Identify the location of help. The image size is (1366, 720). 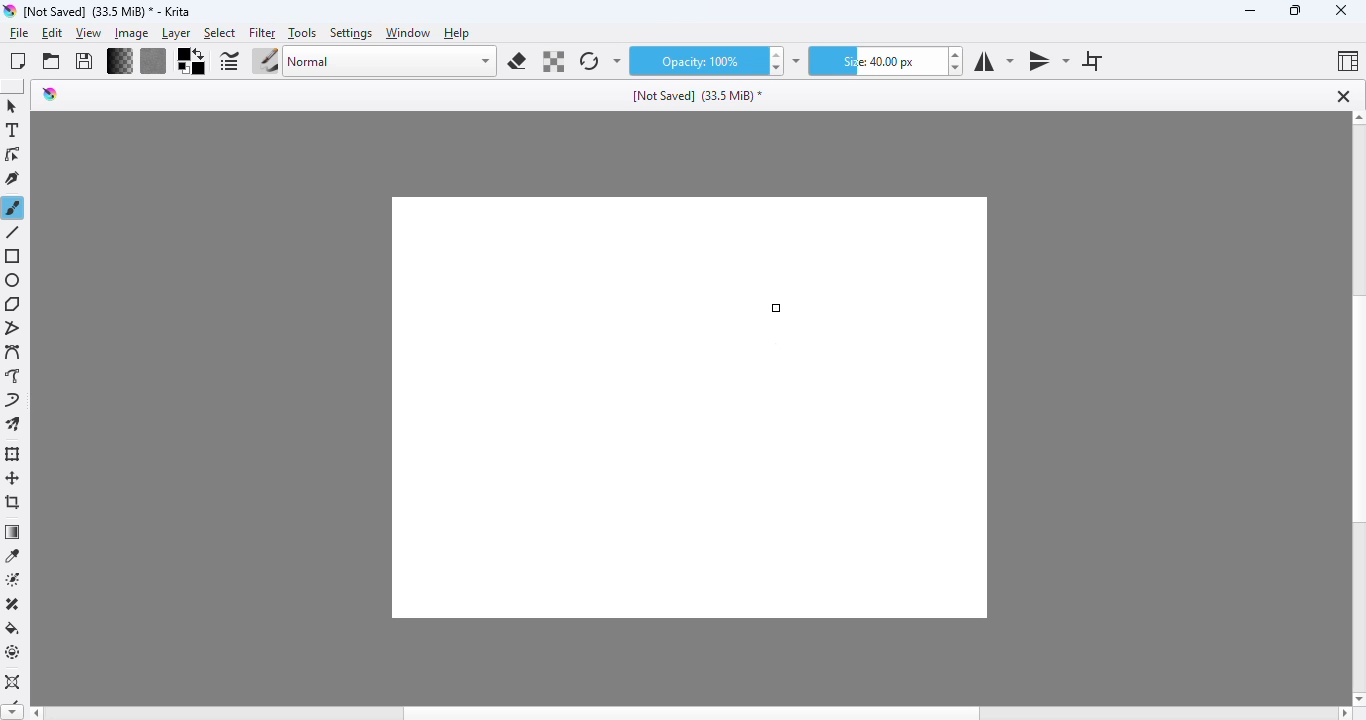
(456, 33).